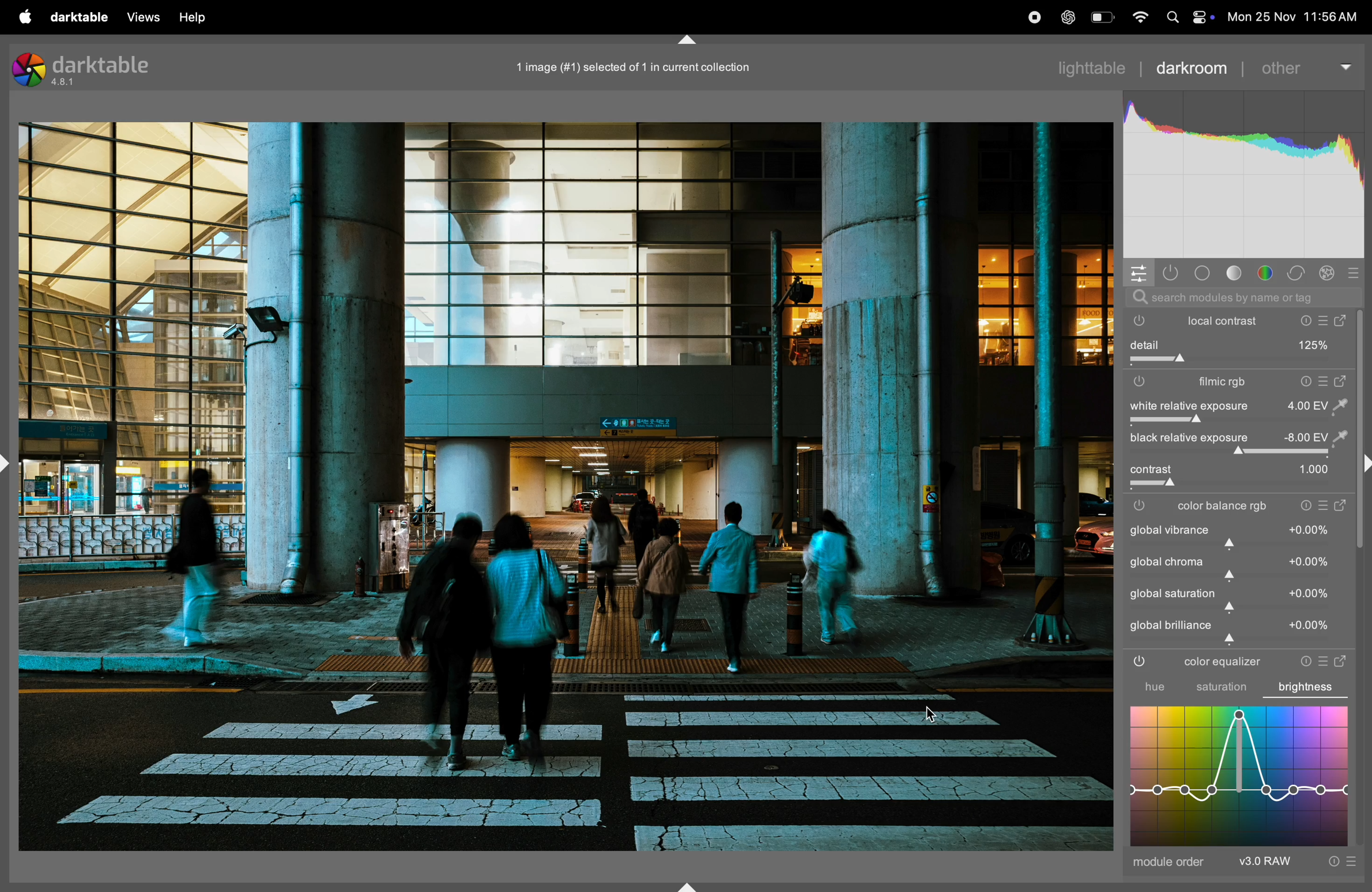 Image resolution: width=1372 pixels, height=892 pixels. Describe the element at coordinates (1220, 663) in the screenshot. I see `color equalizer` at that location.